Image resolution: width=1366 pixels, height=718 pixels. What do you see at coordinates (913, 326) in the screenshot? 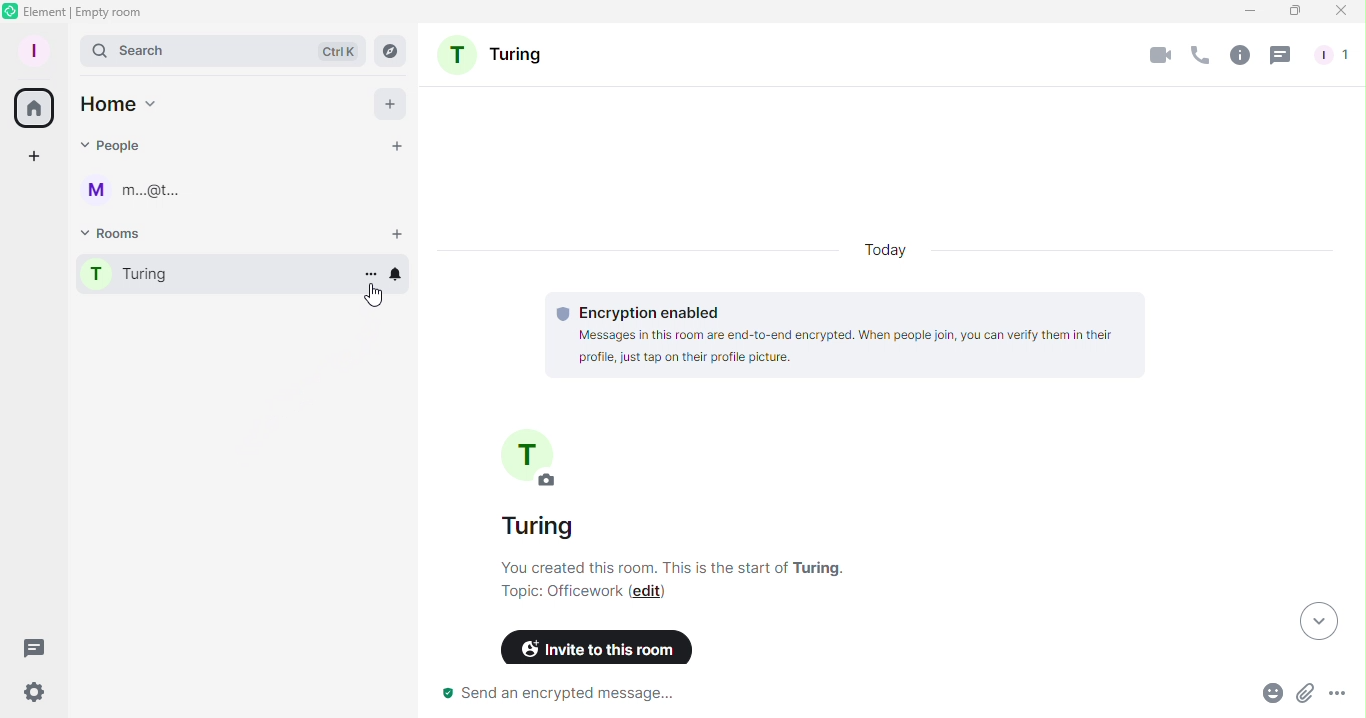
I see `Encryption enabled` at bounding box center [913, 326].